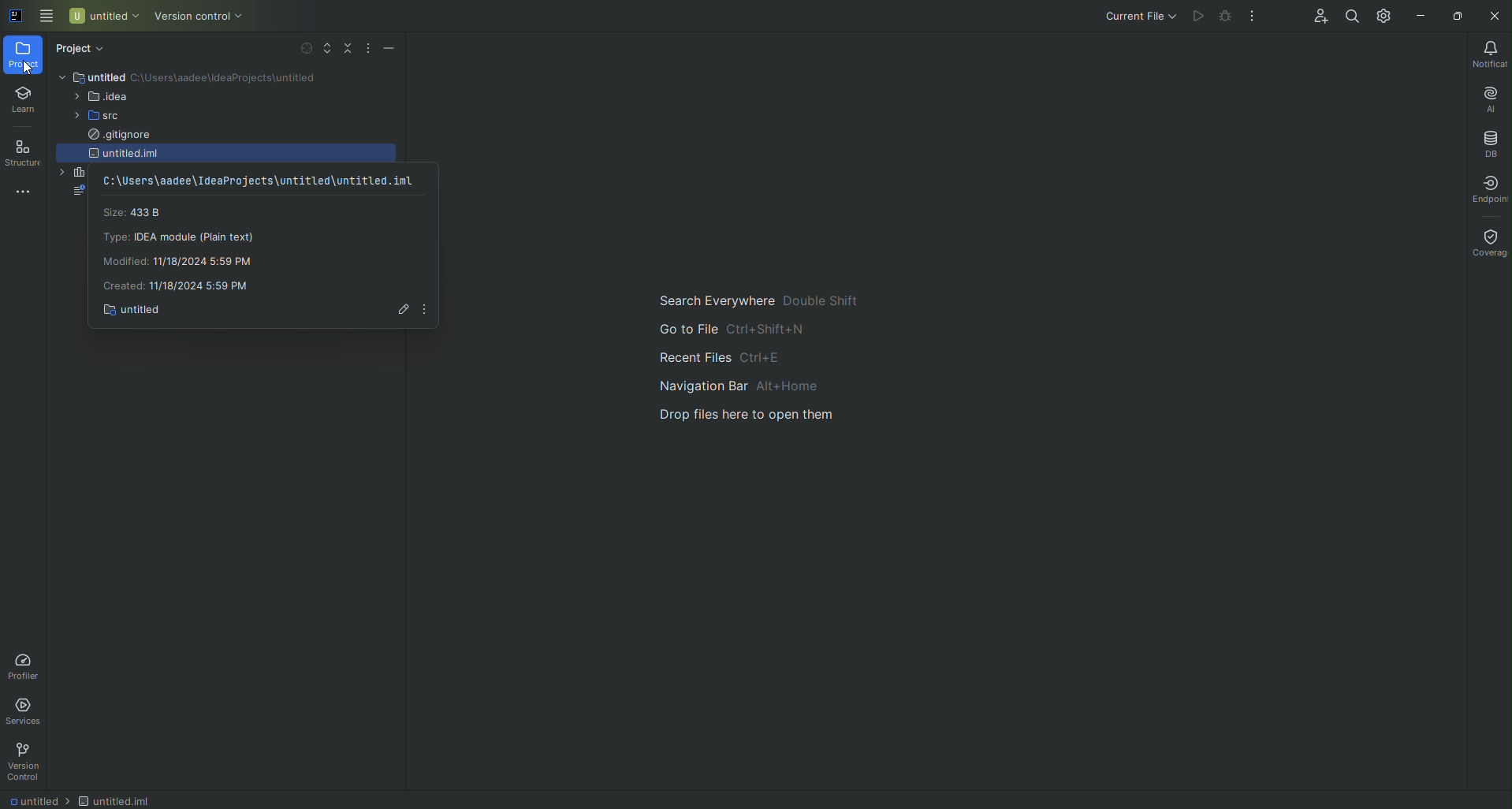 Image resolution: width=1512 pixels, height=809 pixels. What do you see at coordinates (43, 17) in the screenshot?
I see `Main Menu` at bounding box center [43, 17].